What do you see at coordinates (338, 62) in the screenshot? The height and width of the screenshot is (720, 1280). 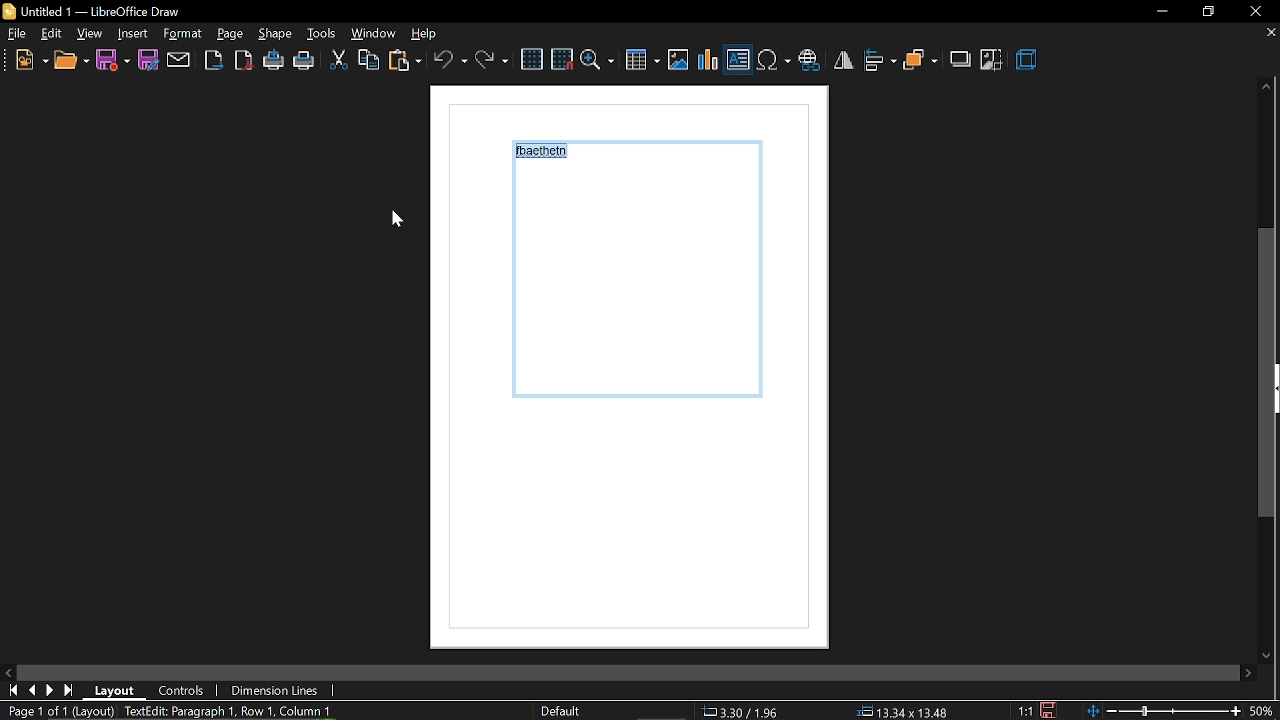 I see `cut ` at bounding box center [338, 62].